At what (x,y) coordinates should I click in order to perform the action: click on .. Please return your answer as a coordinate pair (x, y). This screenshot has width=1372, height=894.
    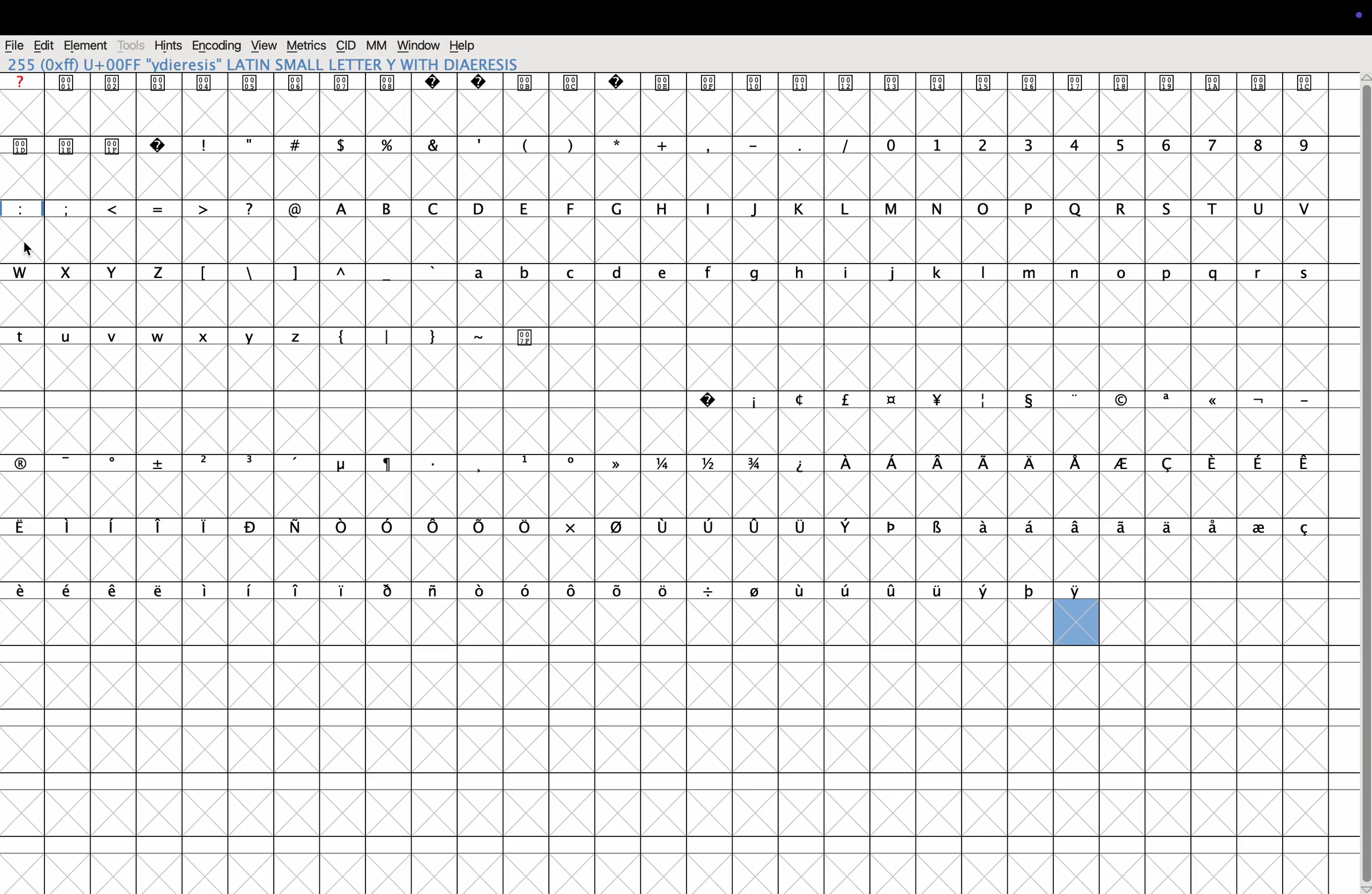
    Looking at the image, I should click on (801, 161).